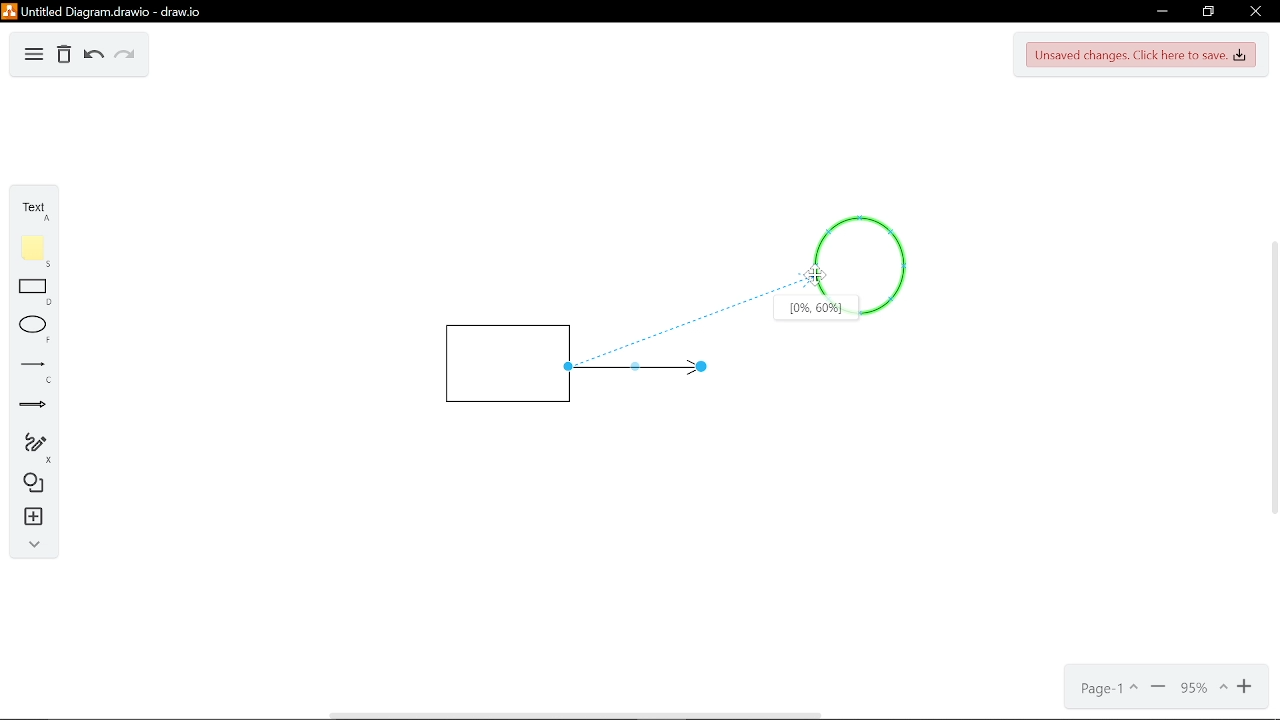 This screenshot has width=1280, height=720. Describe the element at coordinates (35, 210) in the screenshot. I see `Text` at that location.